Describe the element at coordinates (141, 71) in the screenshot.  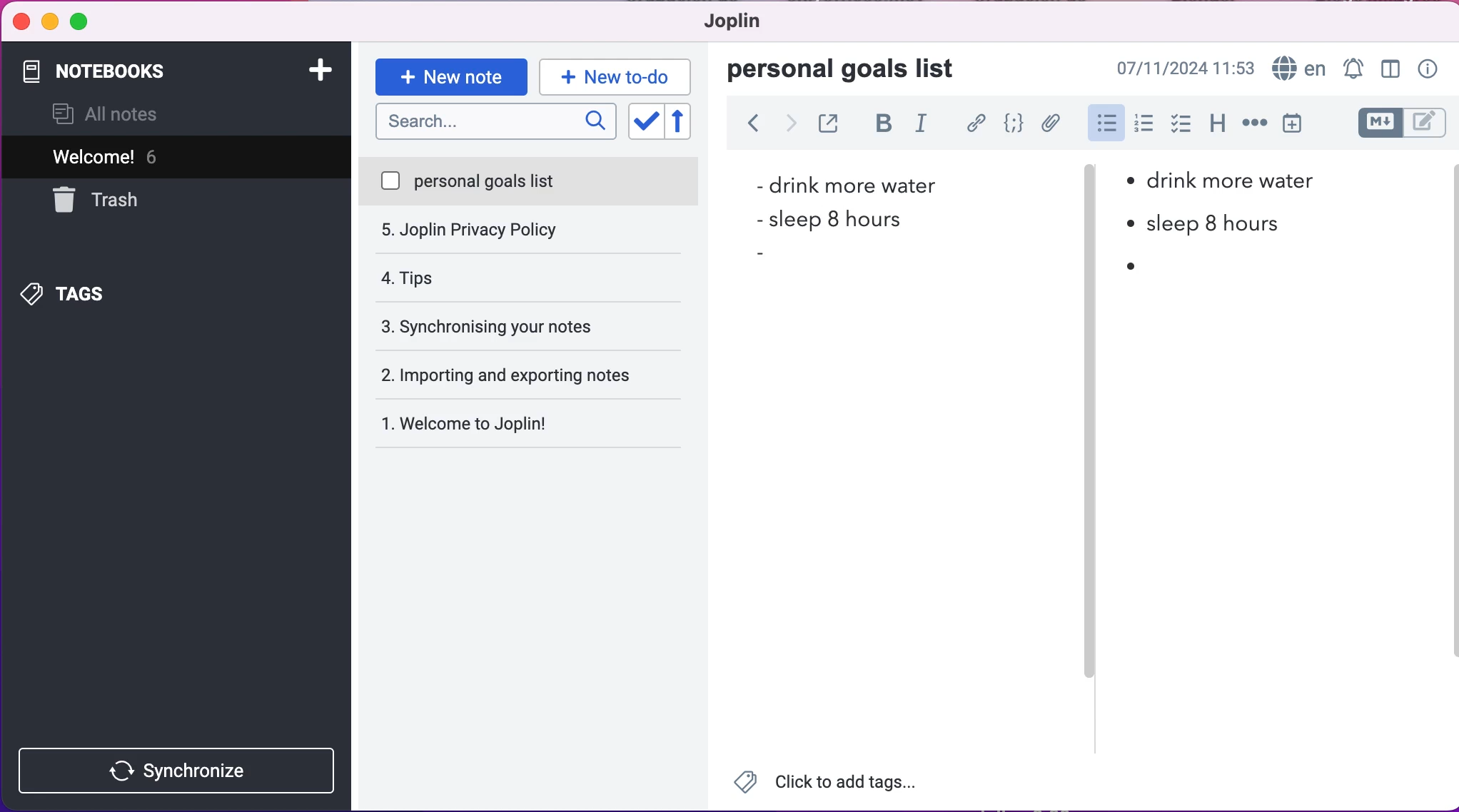
I see `notebooks` at that location.